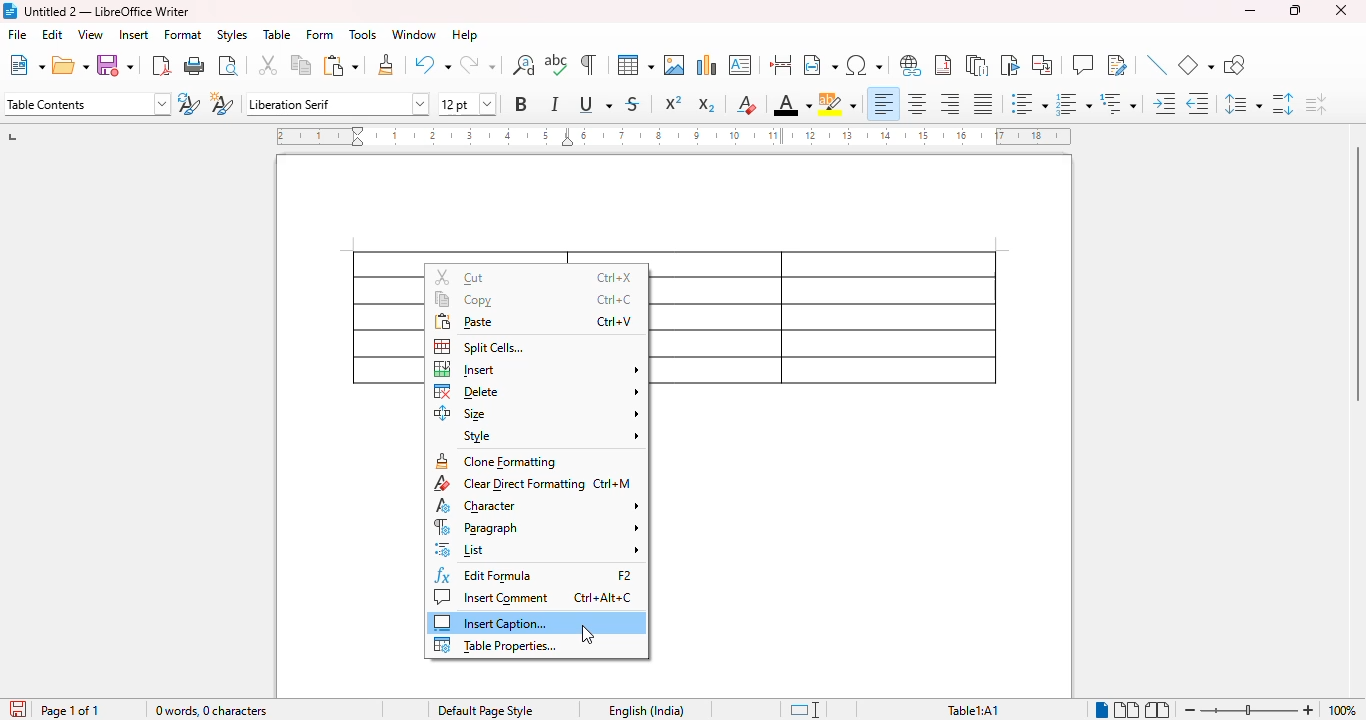 Image resolution: width=1366 pixels, height=720 pixels. What do you see at coordinates (486, 710) in the screenshot?
I see `page style` at bounding box center [486, 710].